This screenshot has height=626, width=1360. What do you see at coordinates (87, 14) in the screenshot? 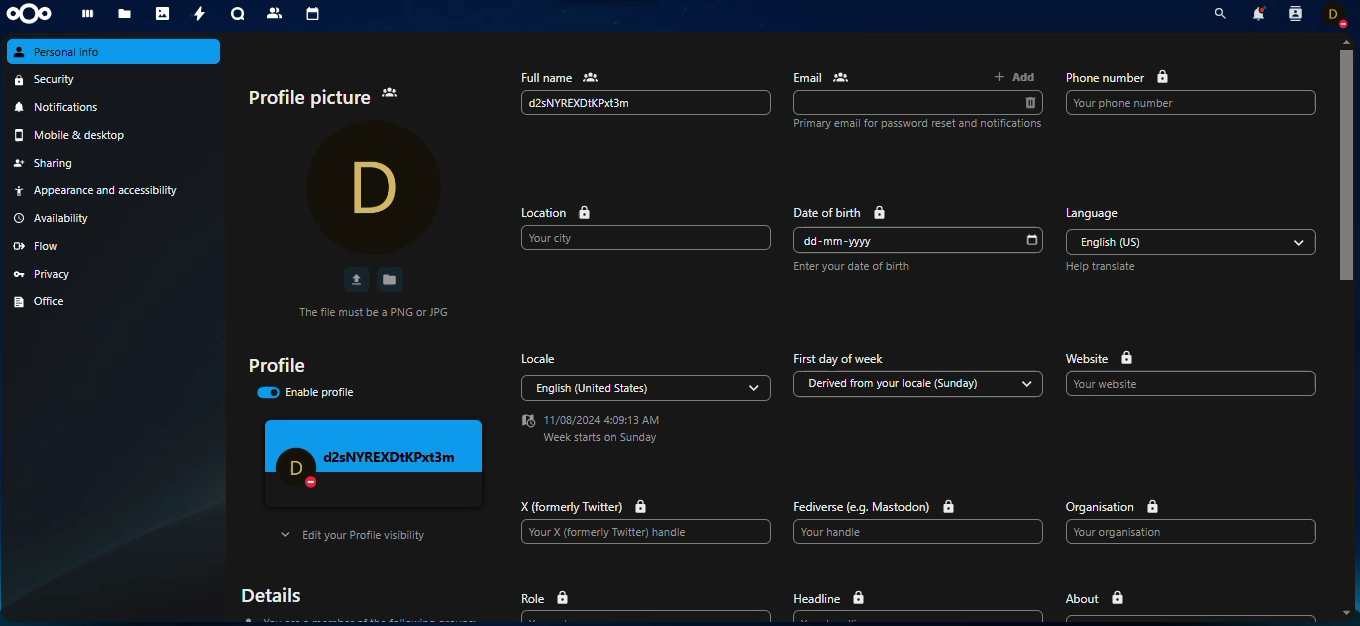
I see `dashboard` at bounding box center [87, 14].